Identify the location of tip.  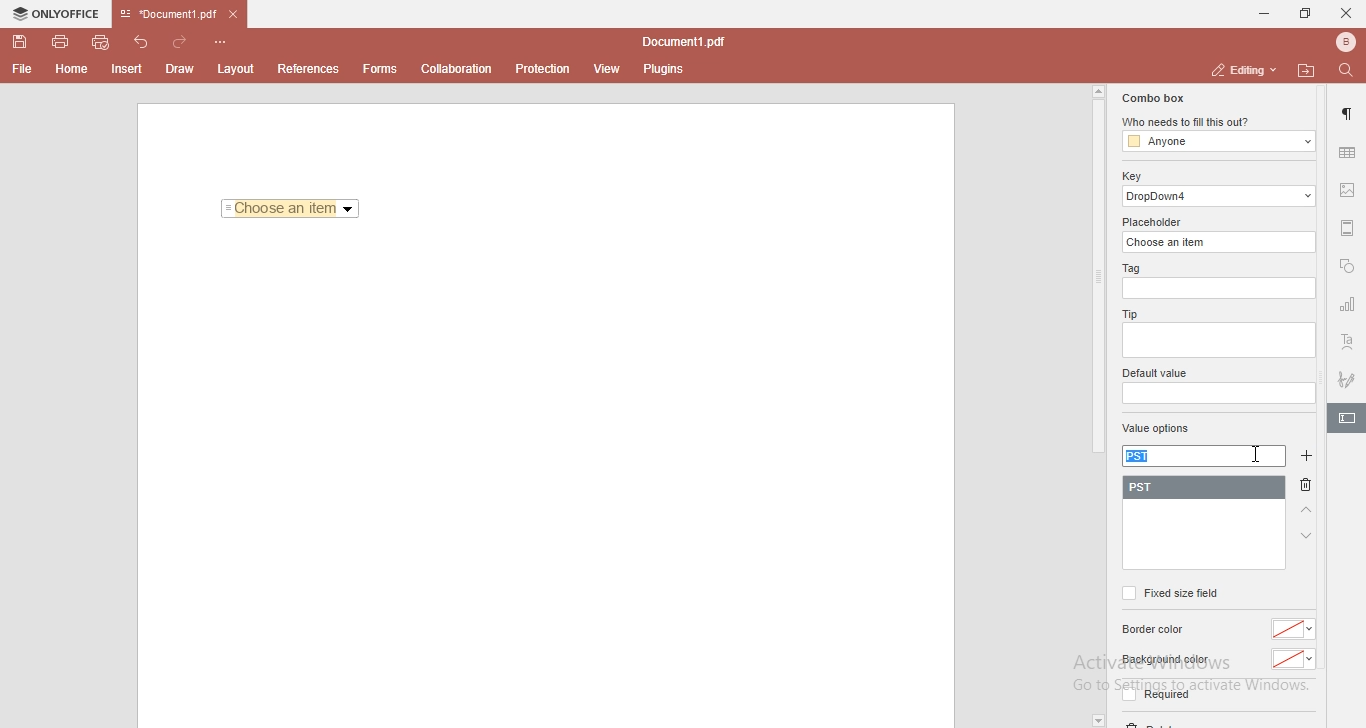
(1127, 313).